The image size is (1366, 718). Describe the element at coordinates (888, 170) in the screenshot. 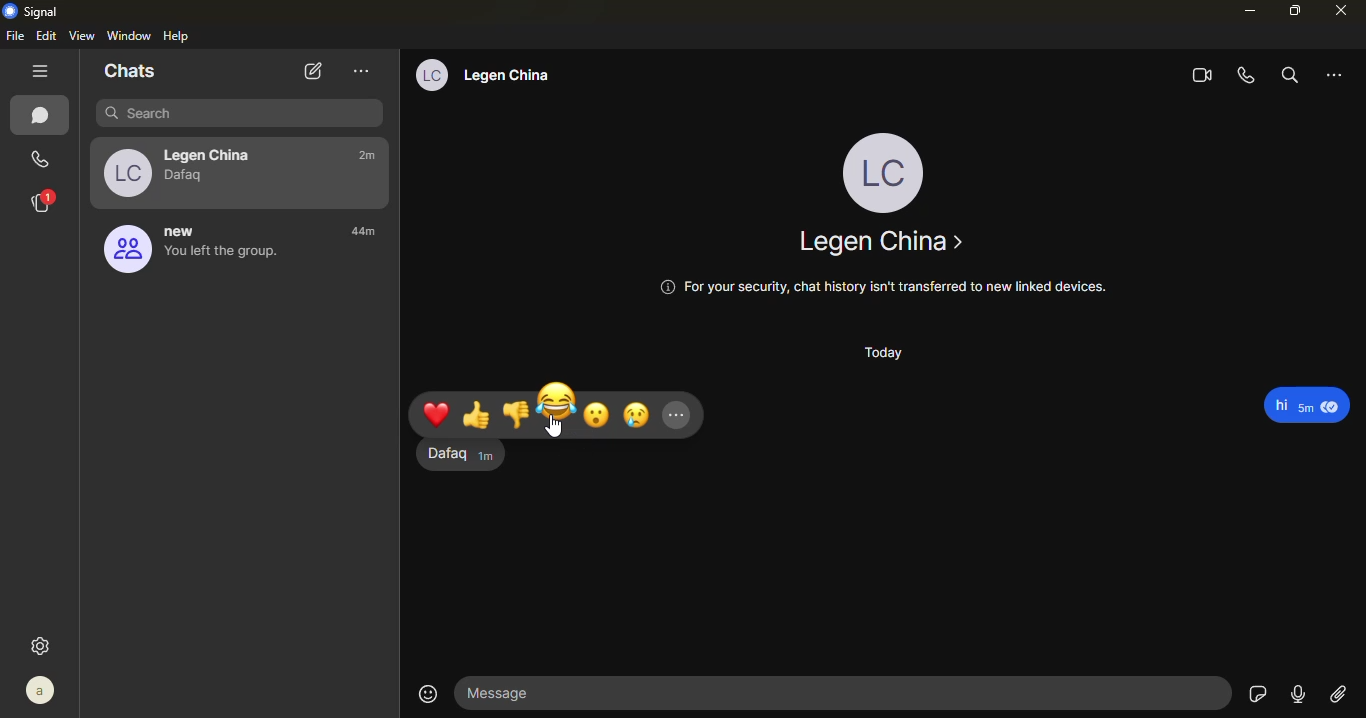

I see `profile LC` at that location.